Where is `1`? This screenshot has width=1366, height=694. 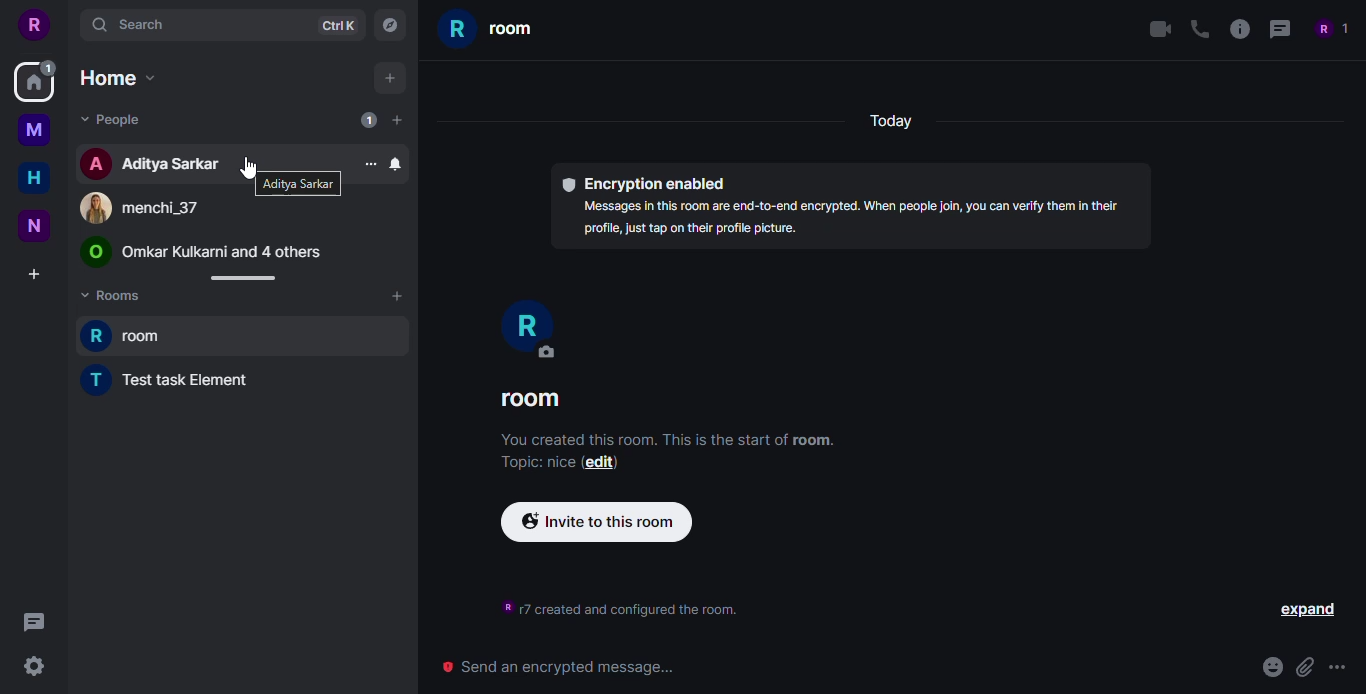 1 is located at coordinates (49, 67).